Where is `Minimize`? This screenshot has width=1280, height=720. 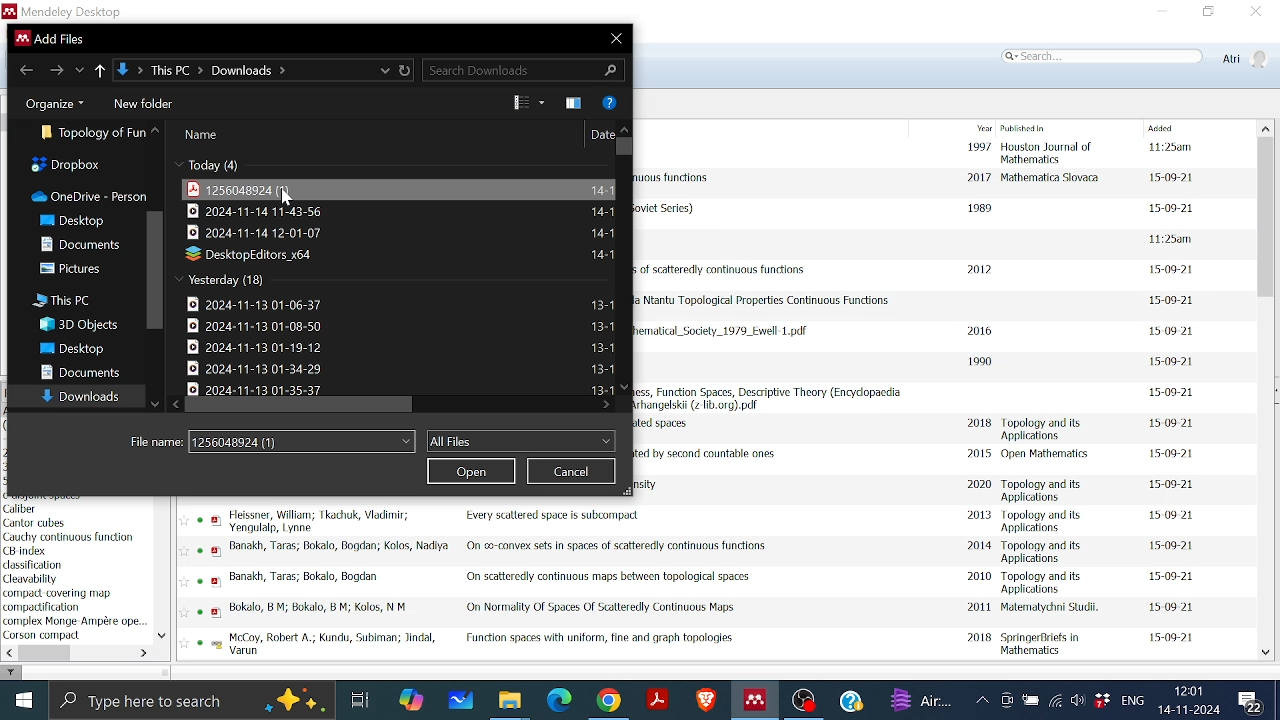
Minimize is located at coordinates (1162, 11).